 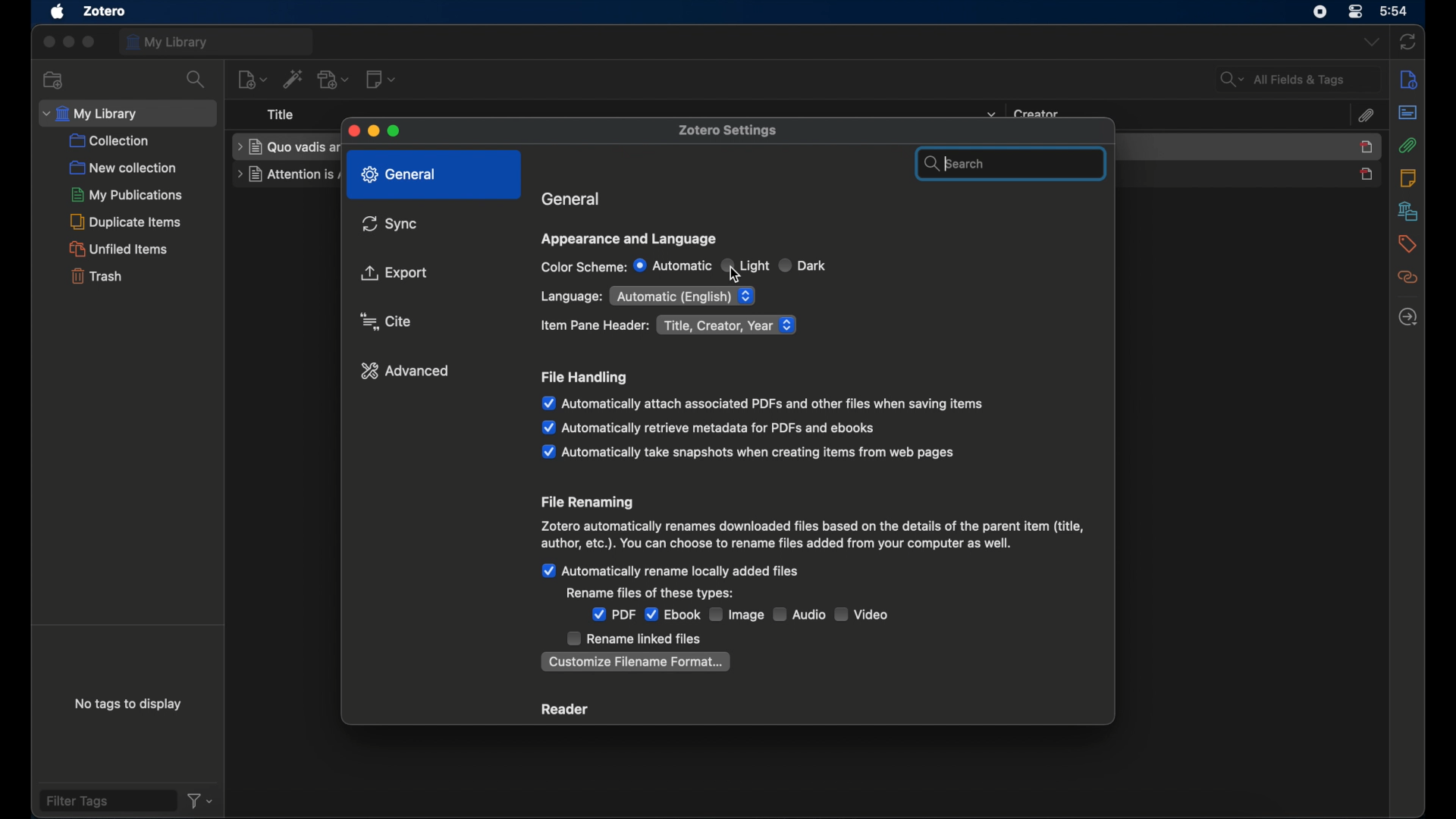 What do you see at coordinates (435, 174) in the screenshot?
I see `general highlighted` at bounding box center [435, 174].